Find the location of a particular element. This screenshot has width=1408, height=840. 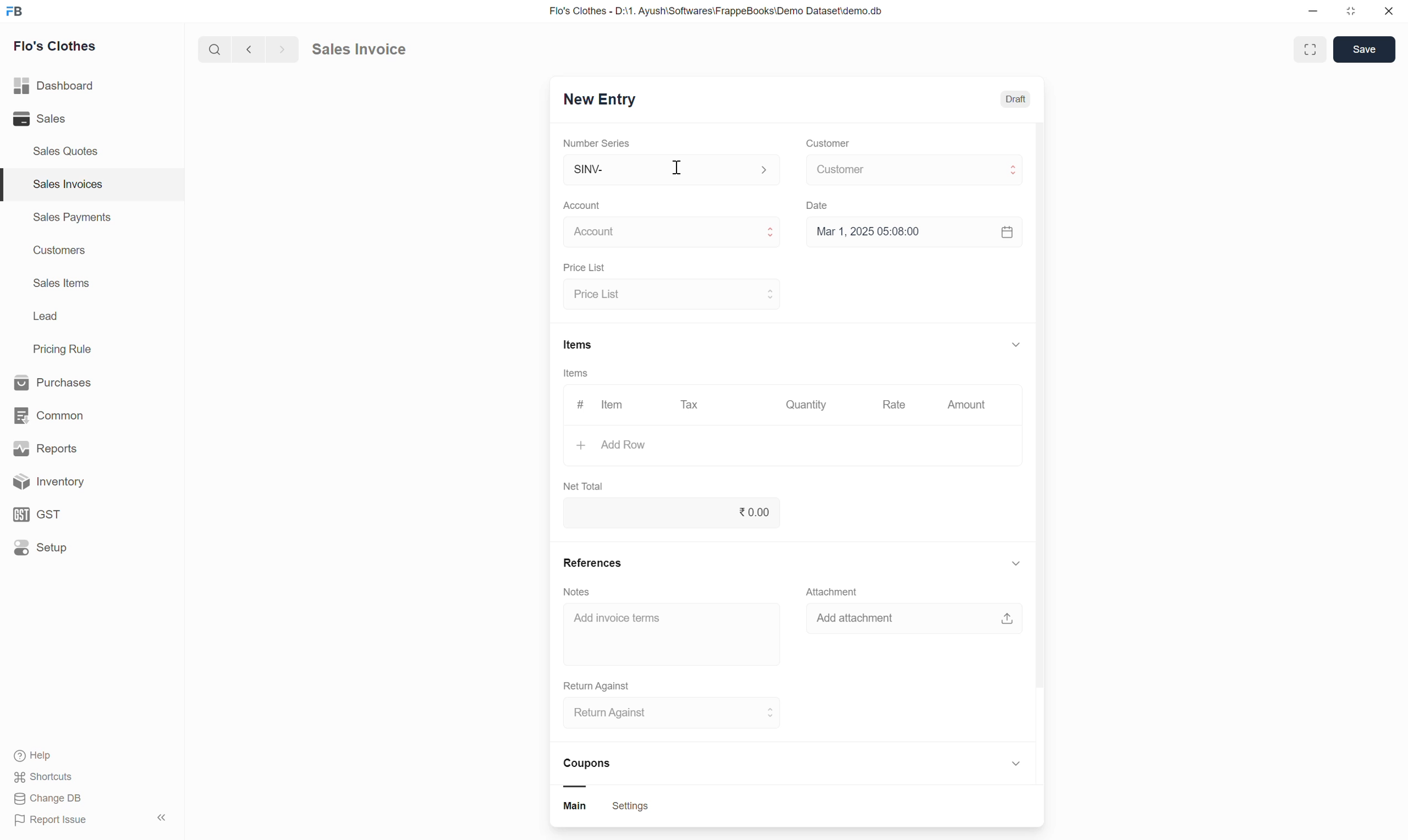

select return against  is located at coordinates (666, 715).